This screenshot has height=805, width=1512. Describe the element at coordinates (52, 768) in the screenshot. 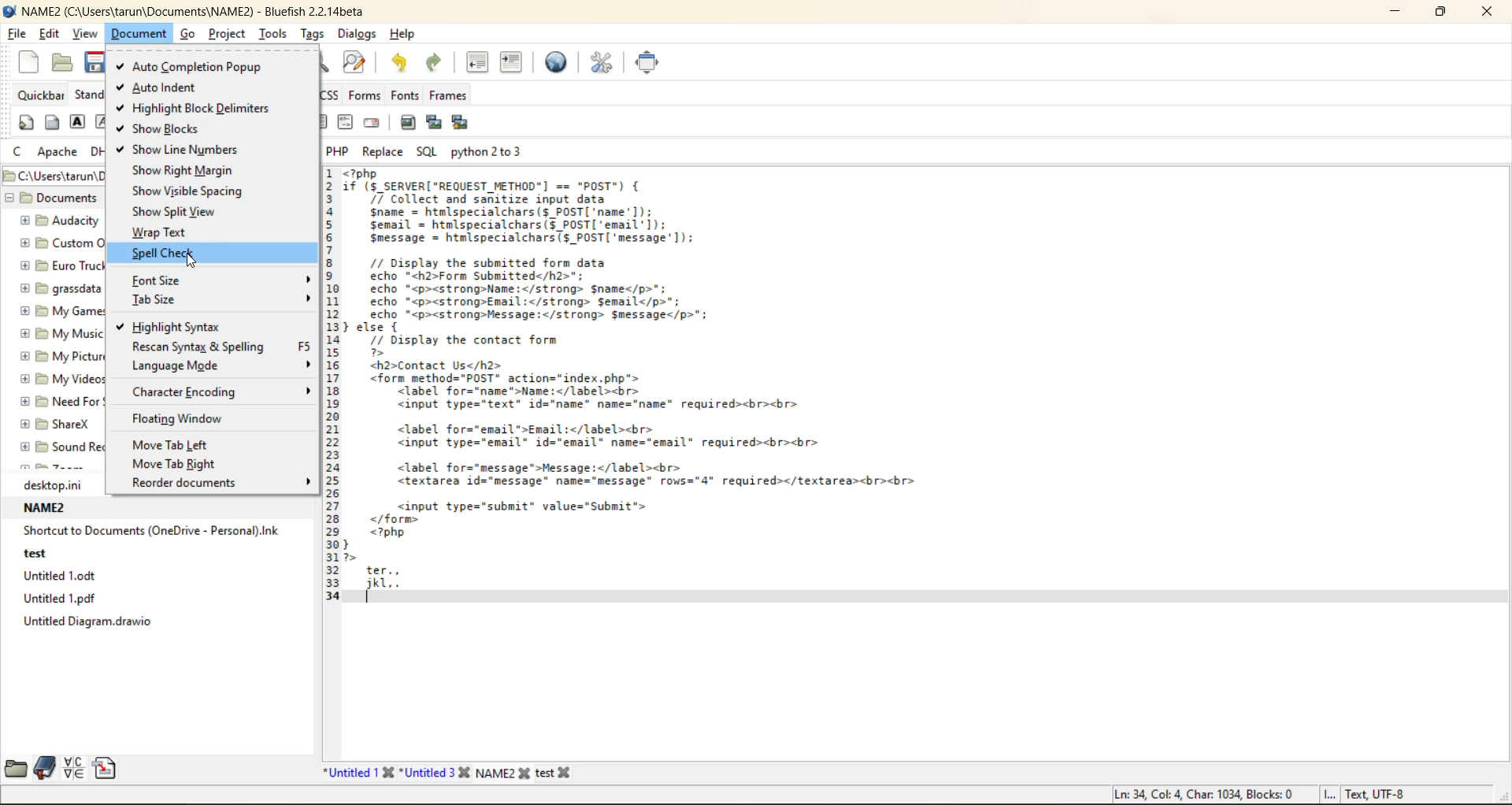

I see `bookmarks` at that location.